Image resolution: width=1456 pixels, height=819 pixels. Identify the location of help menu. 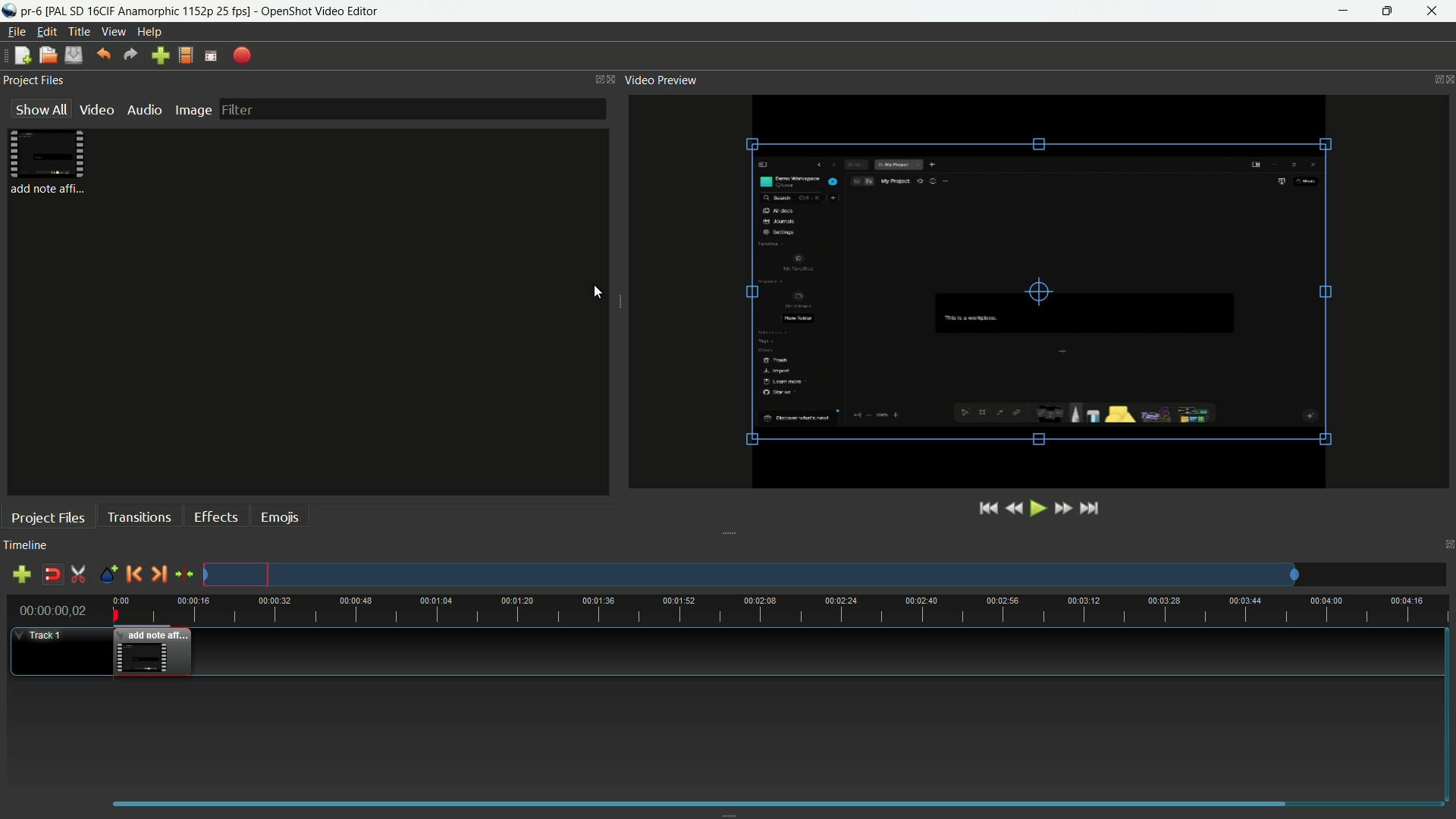
(149, 32).